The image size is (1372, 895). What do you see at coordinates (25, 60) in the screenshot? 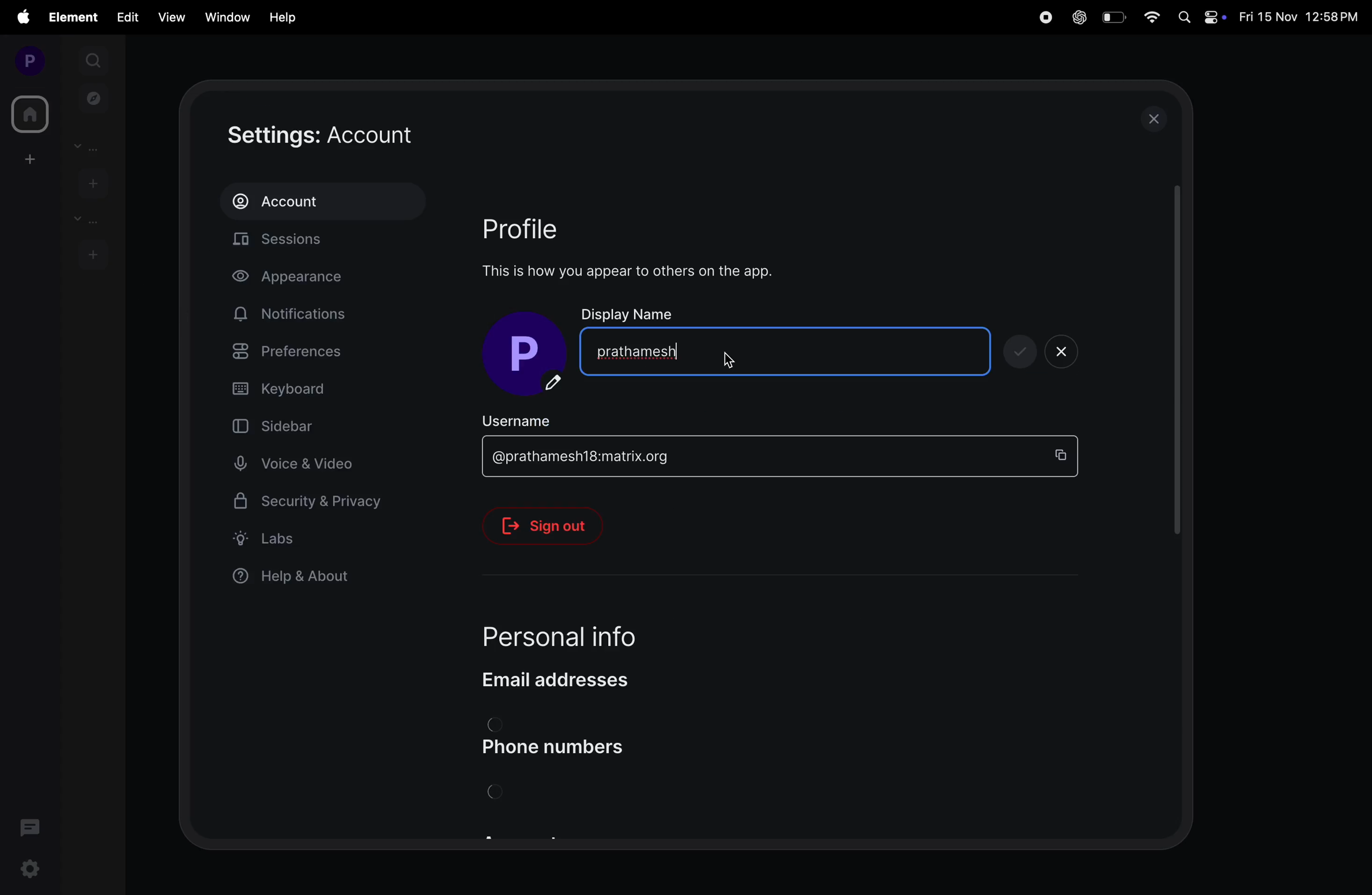
I see `profile` at bounding box center [25, 60].